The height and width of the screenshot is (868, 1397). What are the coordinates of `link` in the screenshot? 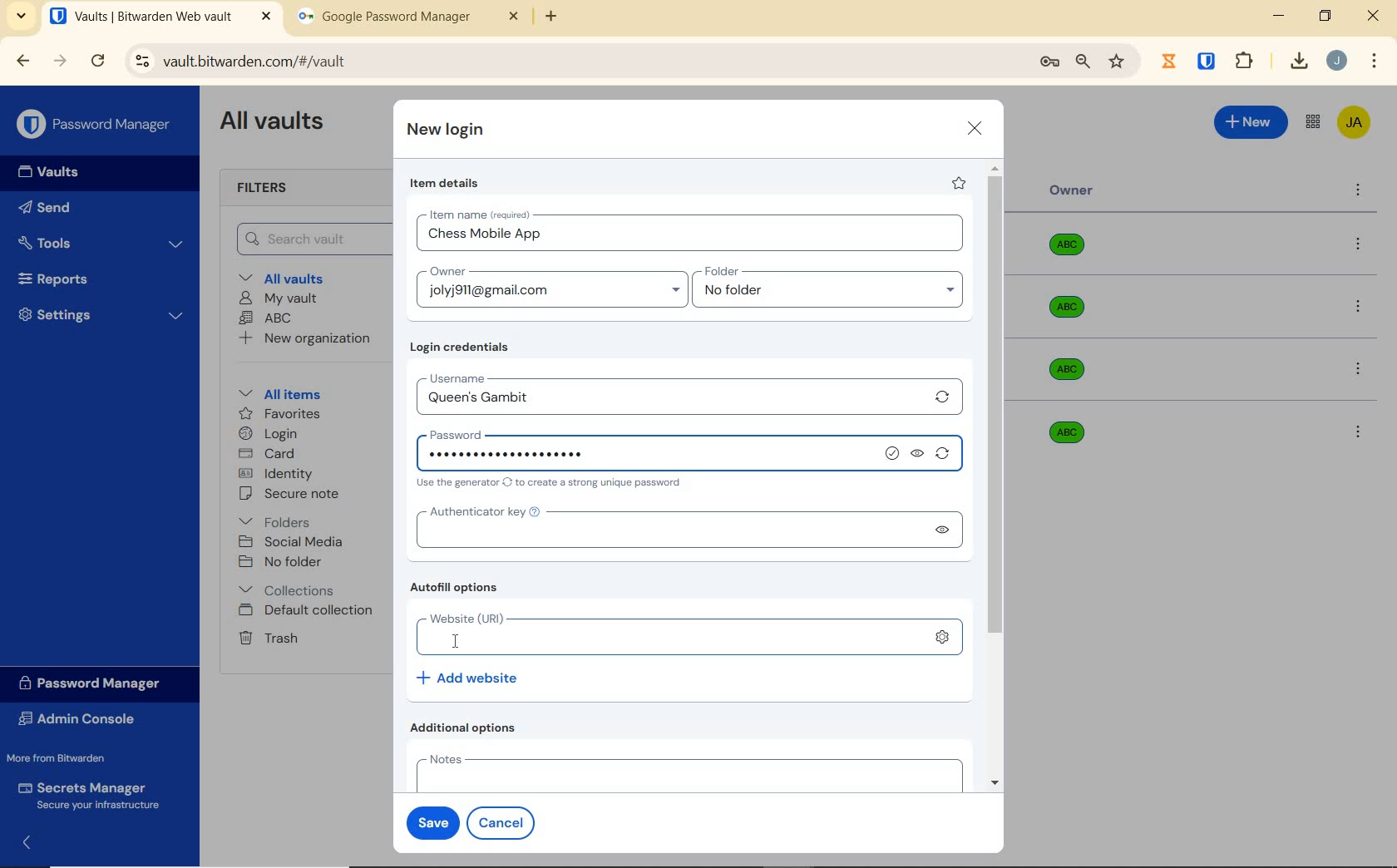 It's located at (945, 638).